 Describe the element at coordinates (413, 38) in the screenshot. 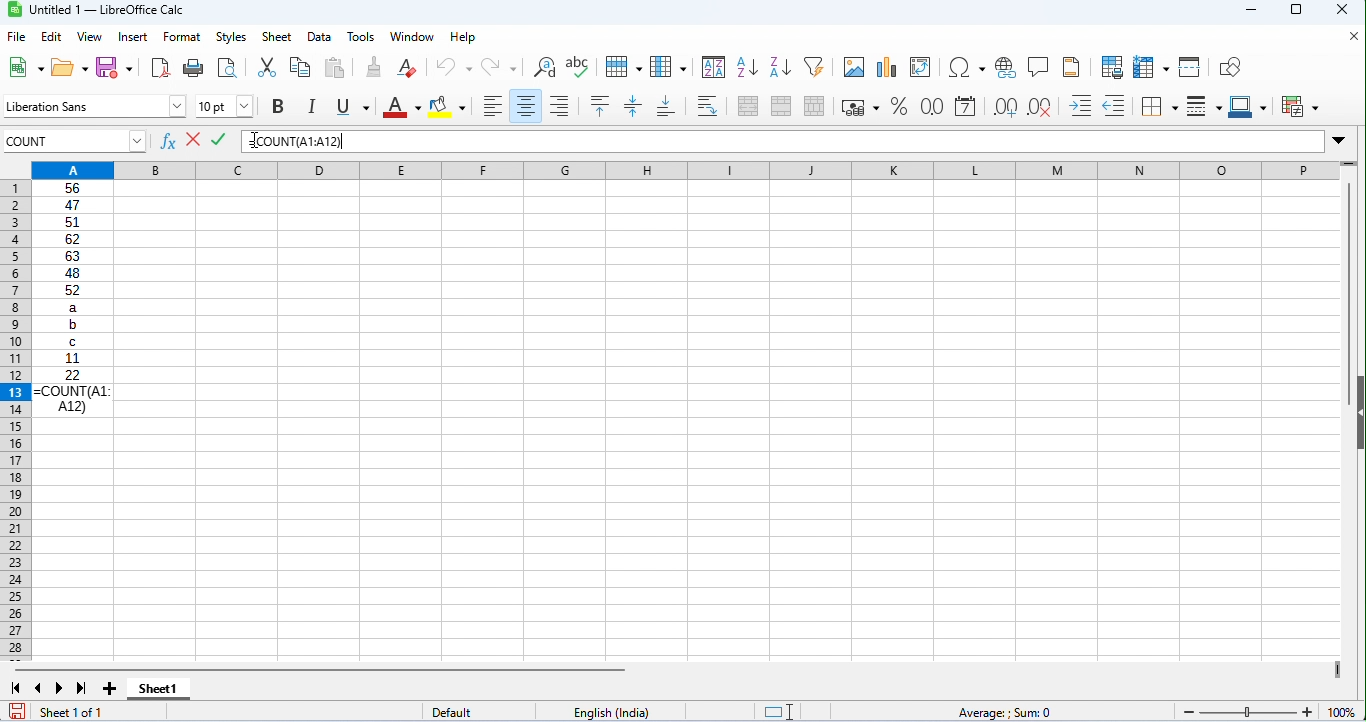

I see `window` at that location.